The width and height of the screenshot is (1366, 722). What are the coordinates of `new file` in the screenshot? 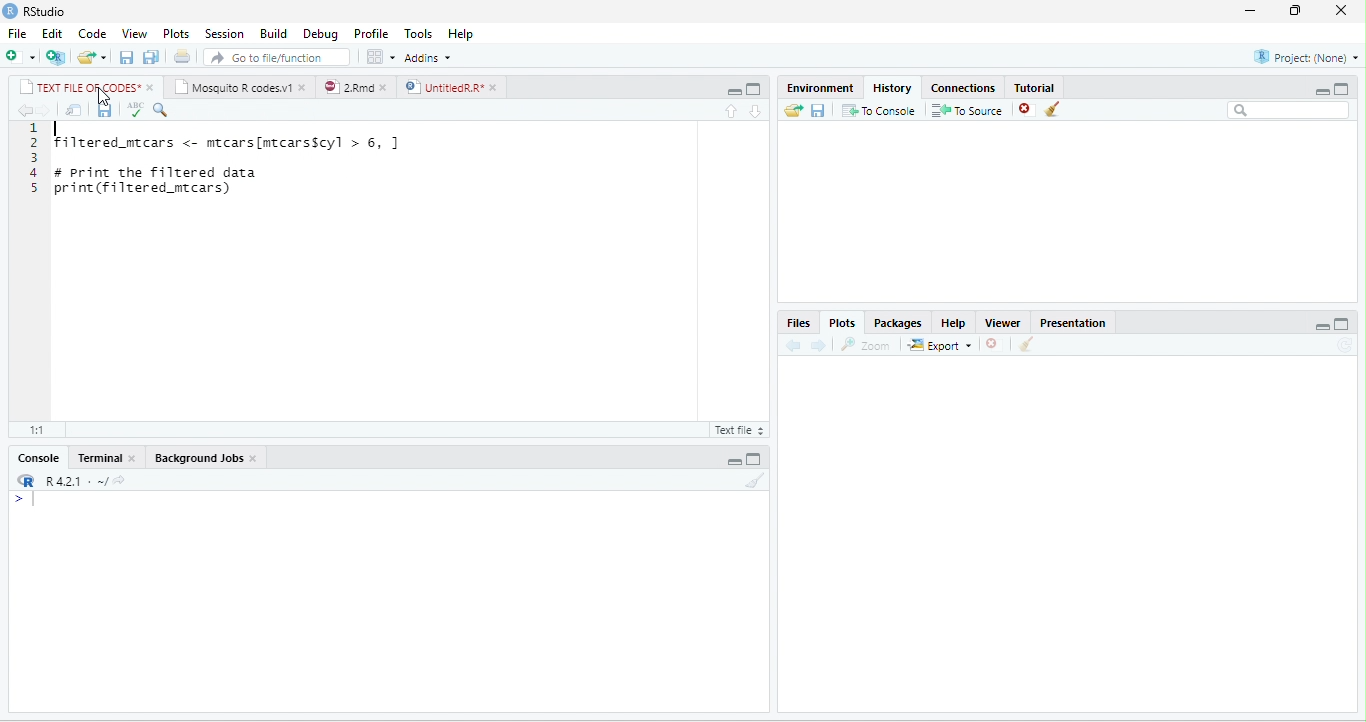 It's located at (21, 56).